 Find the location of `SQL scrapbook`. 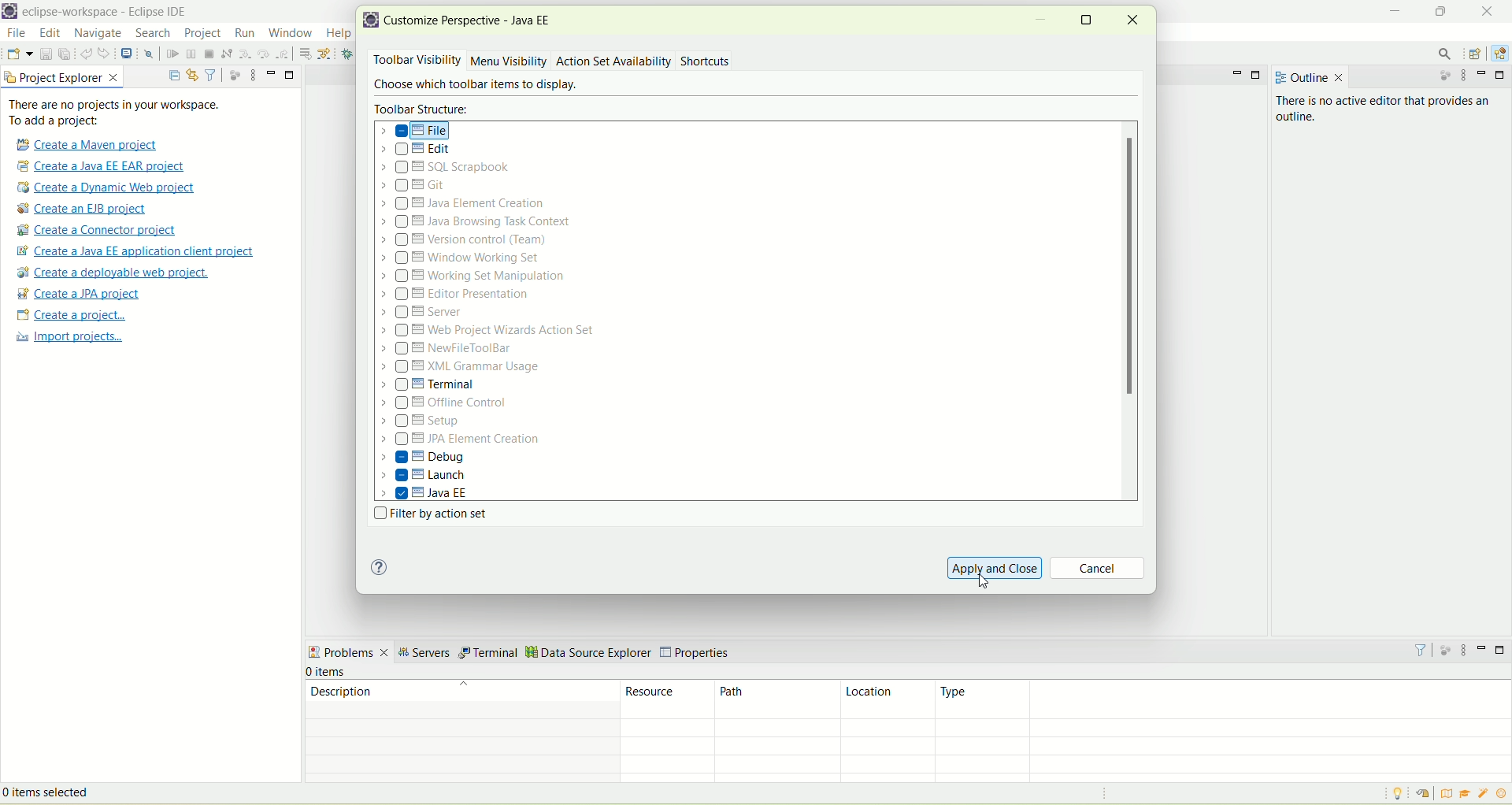

SQL scrapbook is located at coordinates (452, 168).